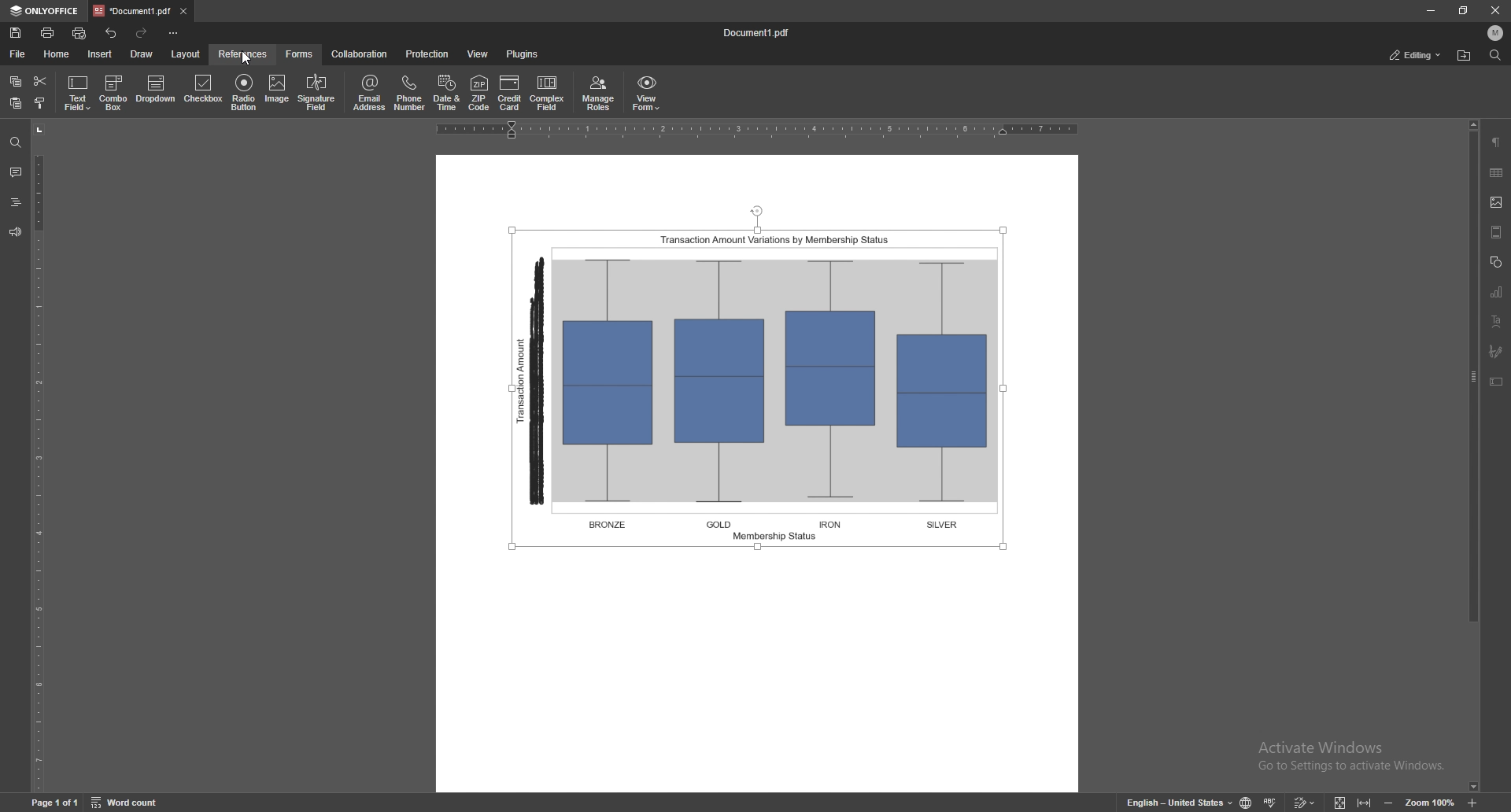 The image size is (1511, 812). I want to click on paste, so click(16, 104).